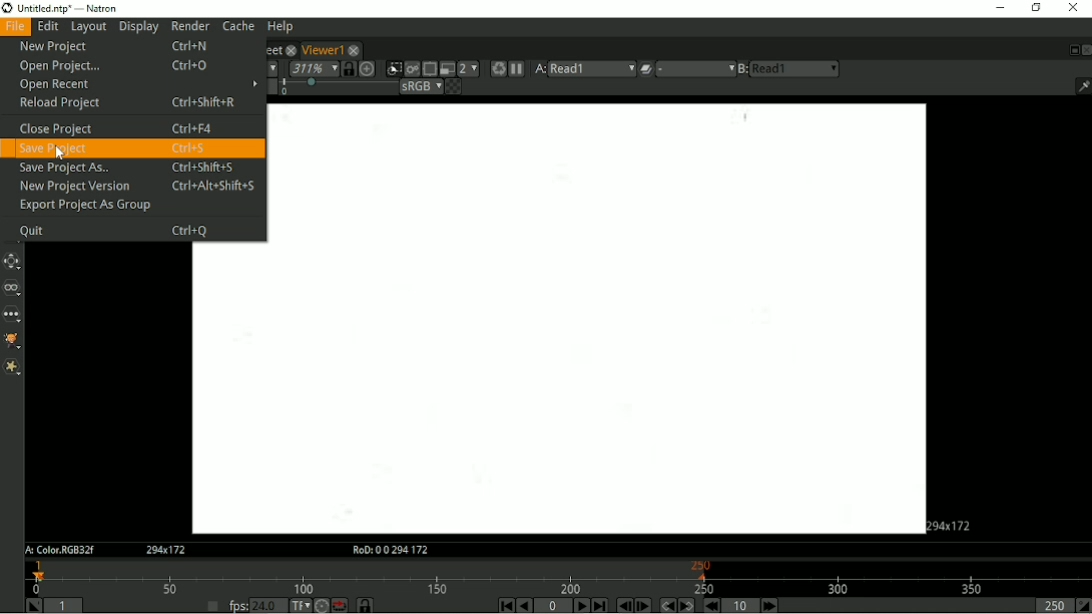 Image resolution: width=1092 pixels, height=614 pixels. I want to click on Play forward, so click(581, 605).